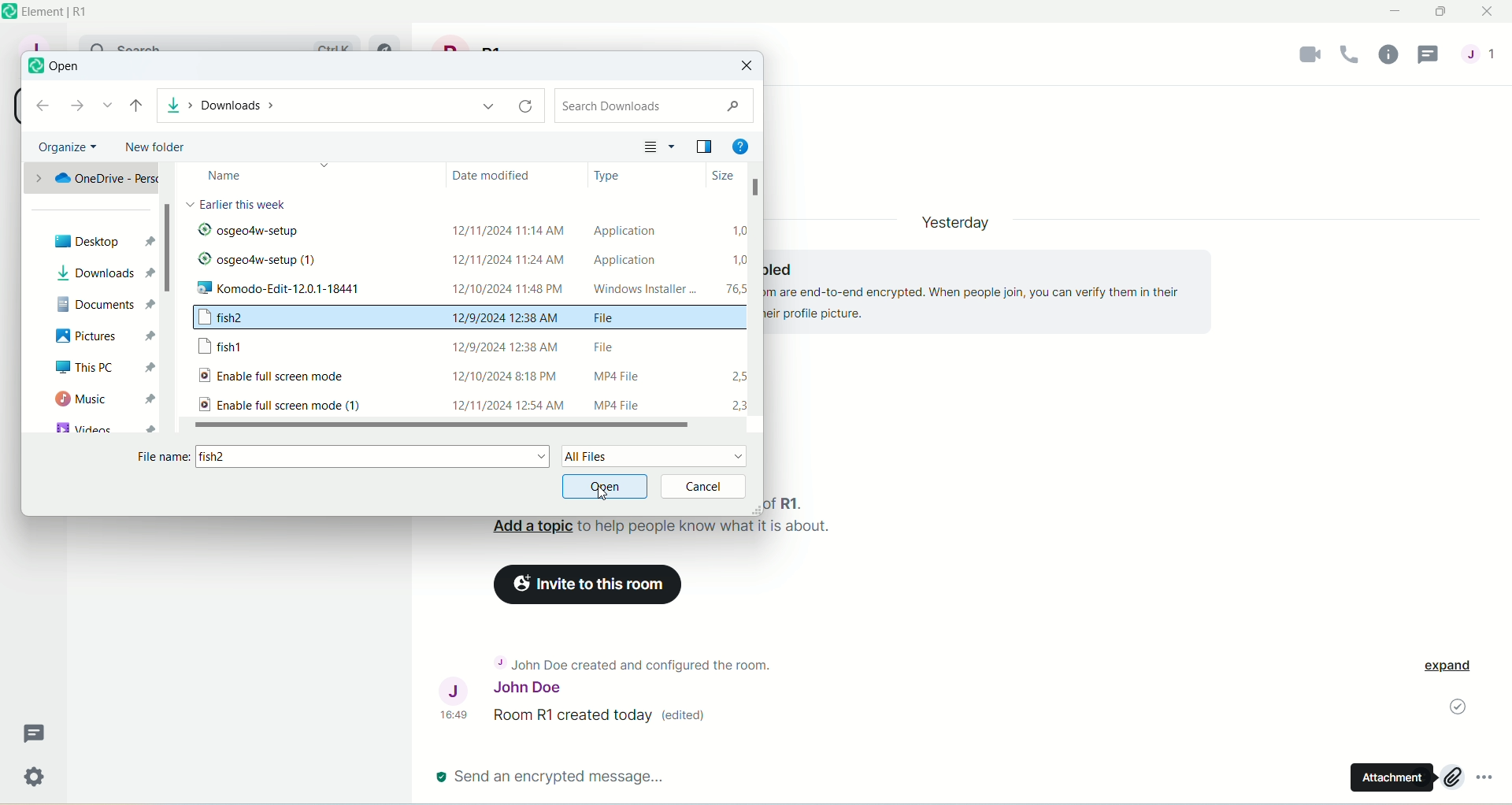 The height and width of the screenshot is (805, 1512). Describe the element at coordinates (510, 373) in the screenshot. I see `12/10/2024 8:18 PM` at that location.